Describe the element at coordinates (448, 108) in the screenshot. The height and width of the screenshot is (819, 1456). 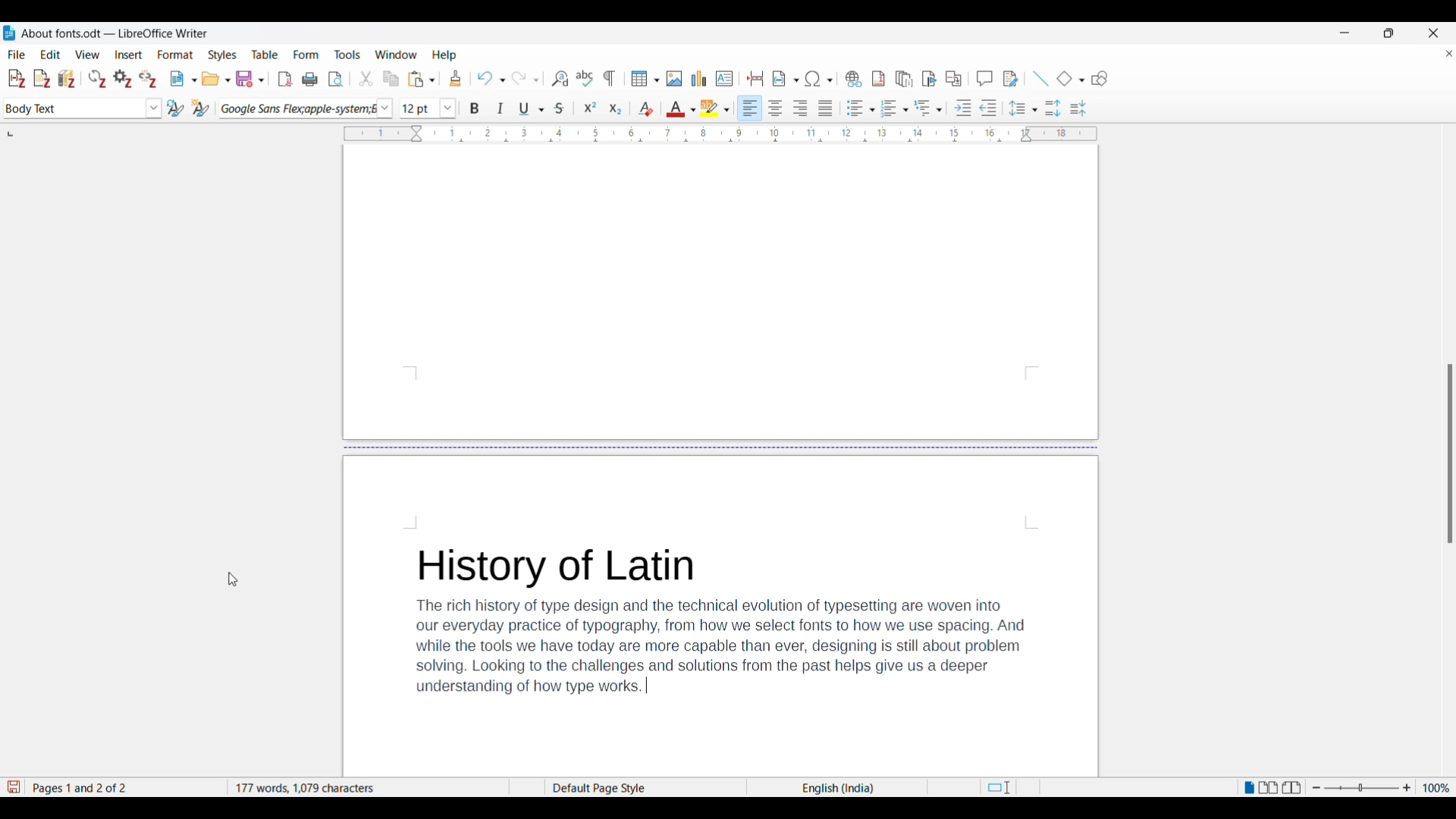
I see `Font size options` at that location.